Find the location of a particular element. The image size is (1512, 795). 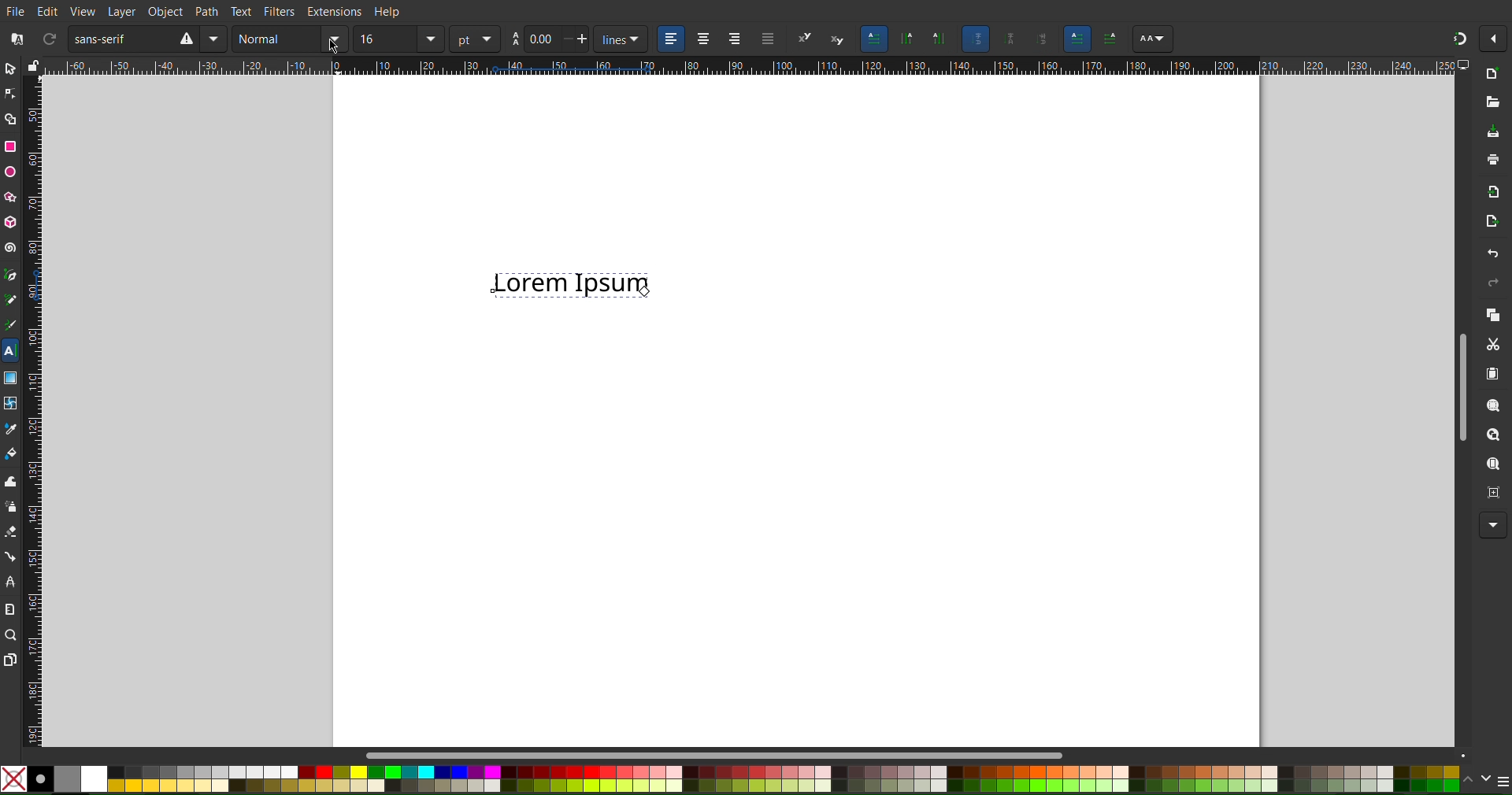

Scroll bar is located at coordinates (707, 751).